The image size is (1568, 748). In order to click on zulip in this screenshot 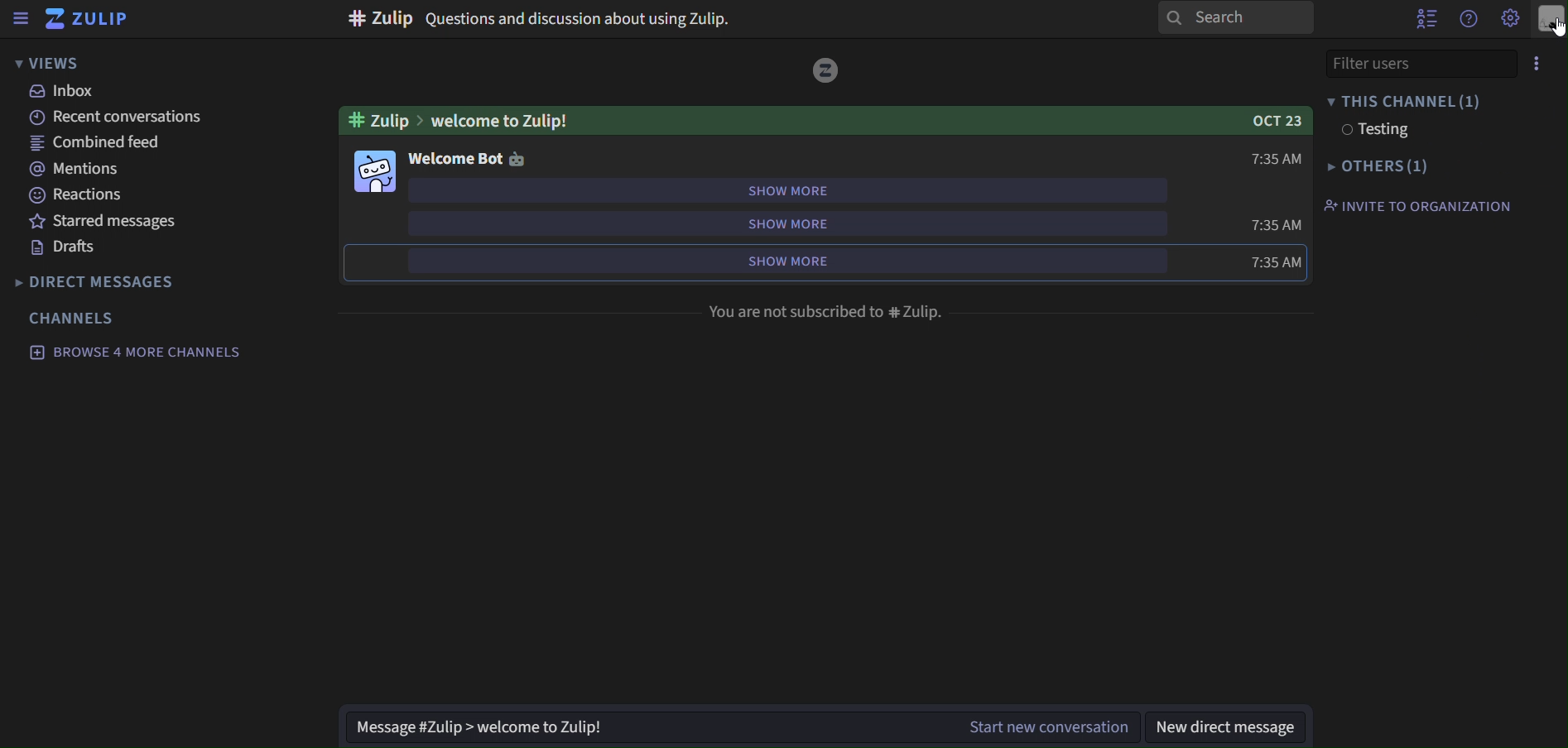, I will do `click(95, 20)`.